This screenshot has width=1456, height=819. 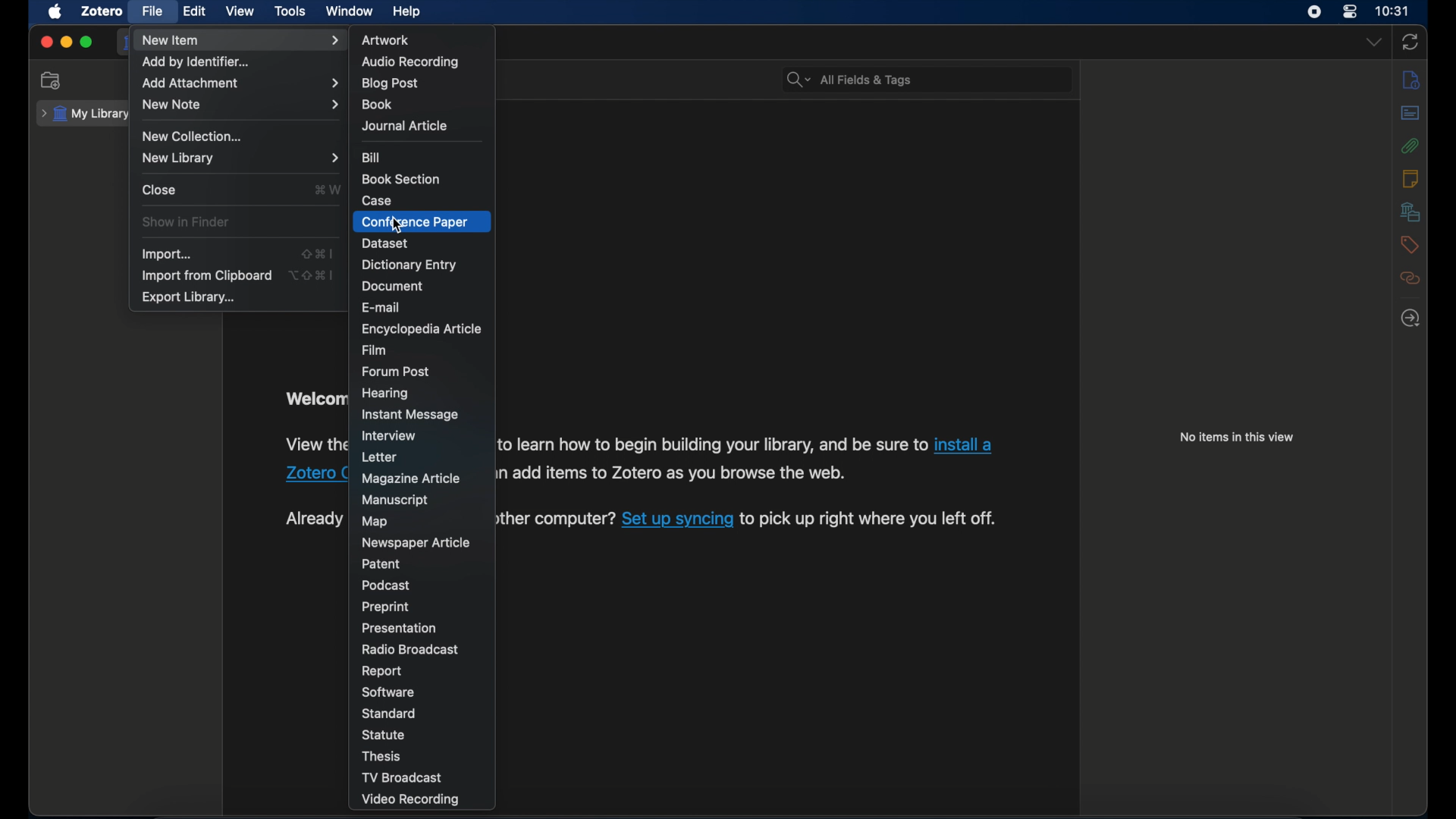 What do you see at coordinates (1236, 438) in the screenshot?
I see `no items in this view` at bounding box center [1236, 438].